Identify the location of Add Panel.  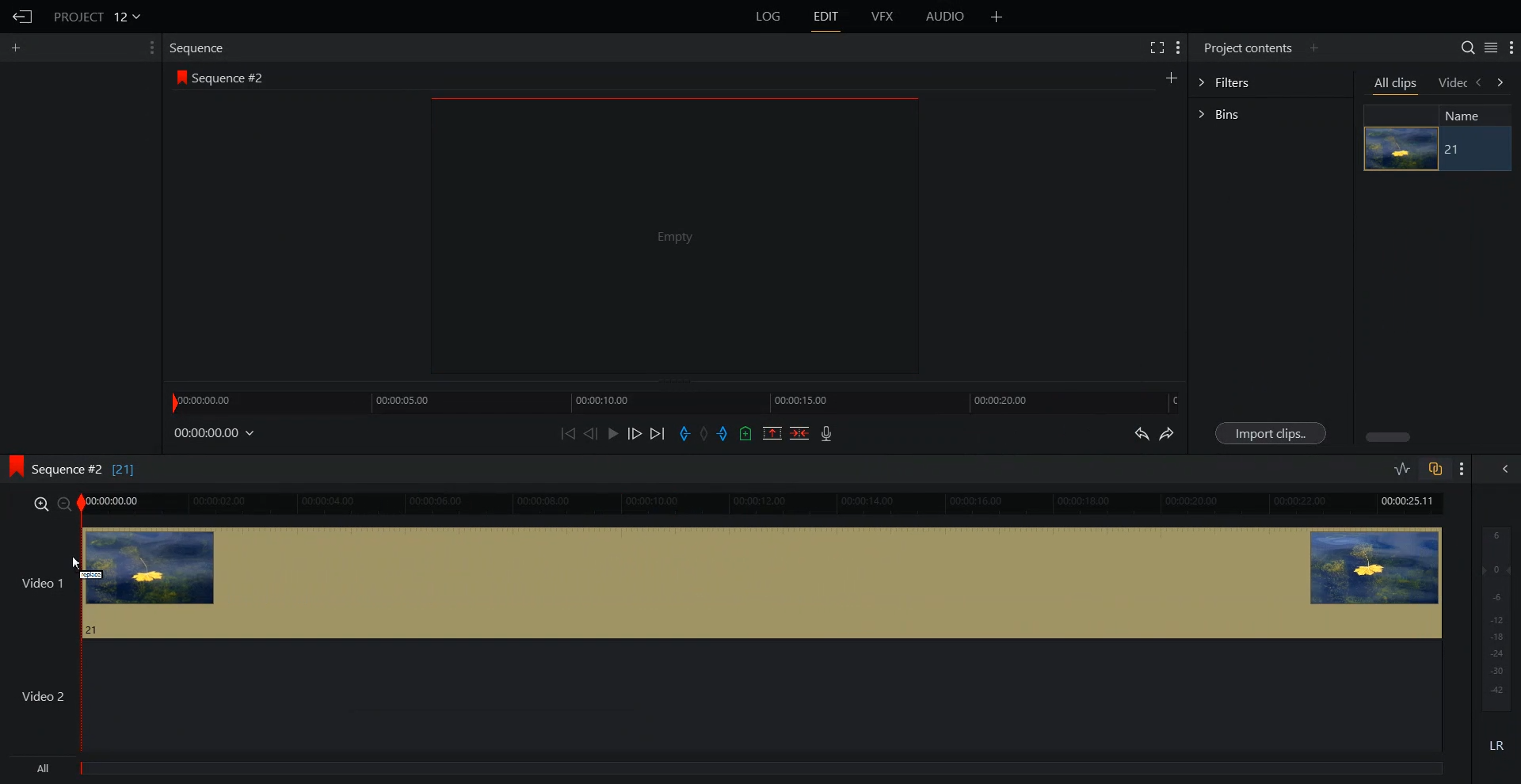
(1314, 47).